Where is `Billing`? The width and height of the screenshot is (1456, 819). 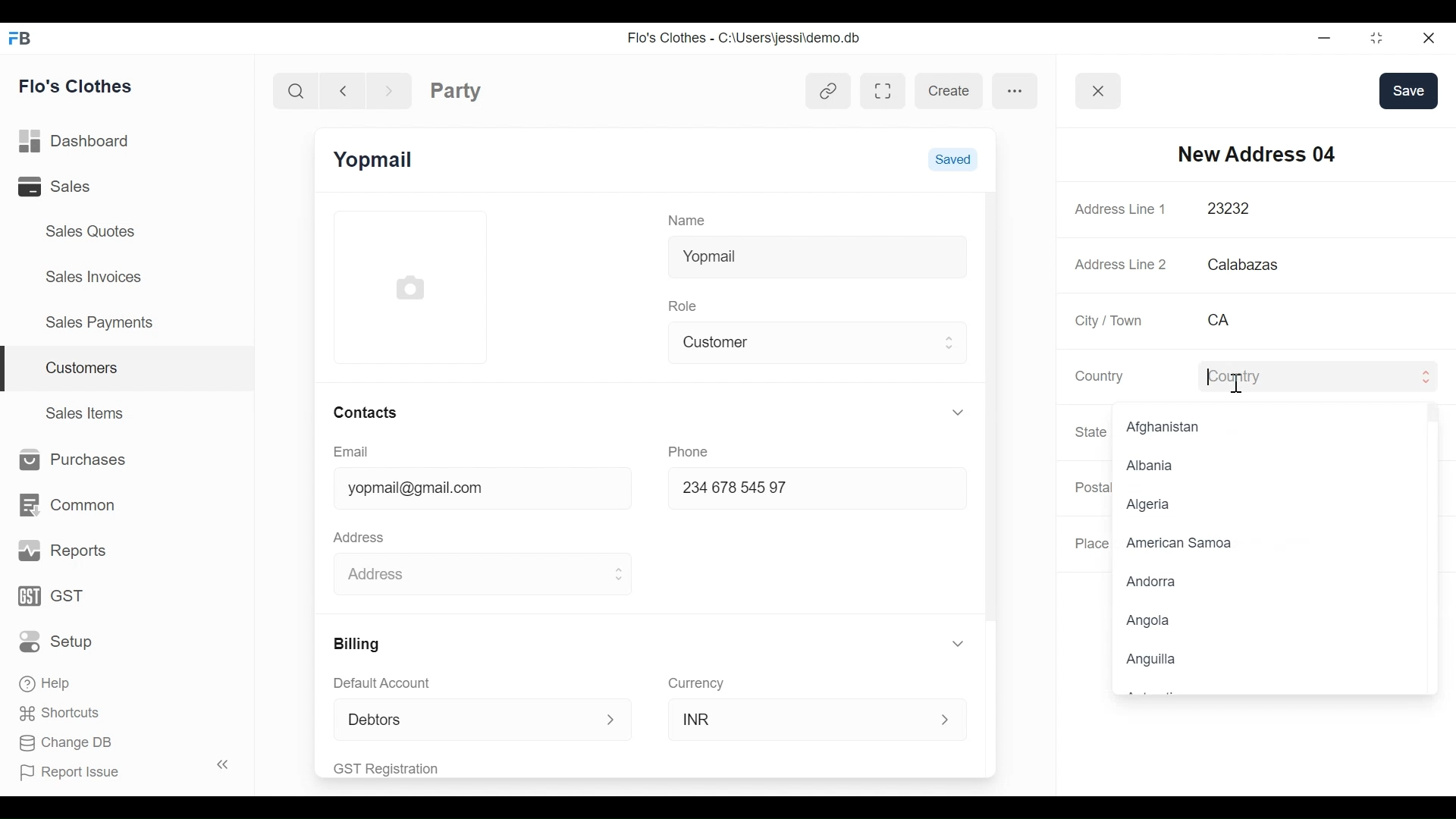
Billing is located at coordinates (355, 644).